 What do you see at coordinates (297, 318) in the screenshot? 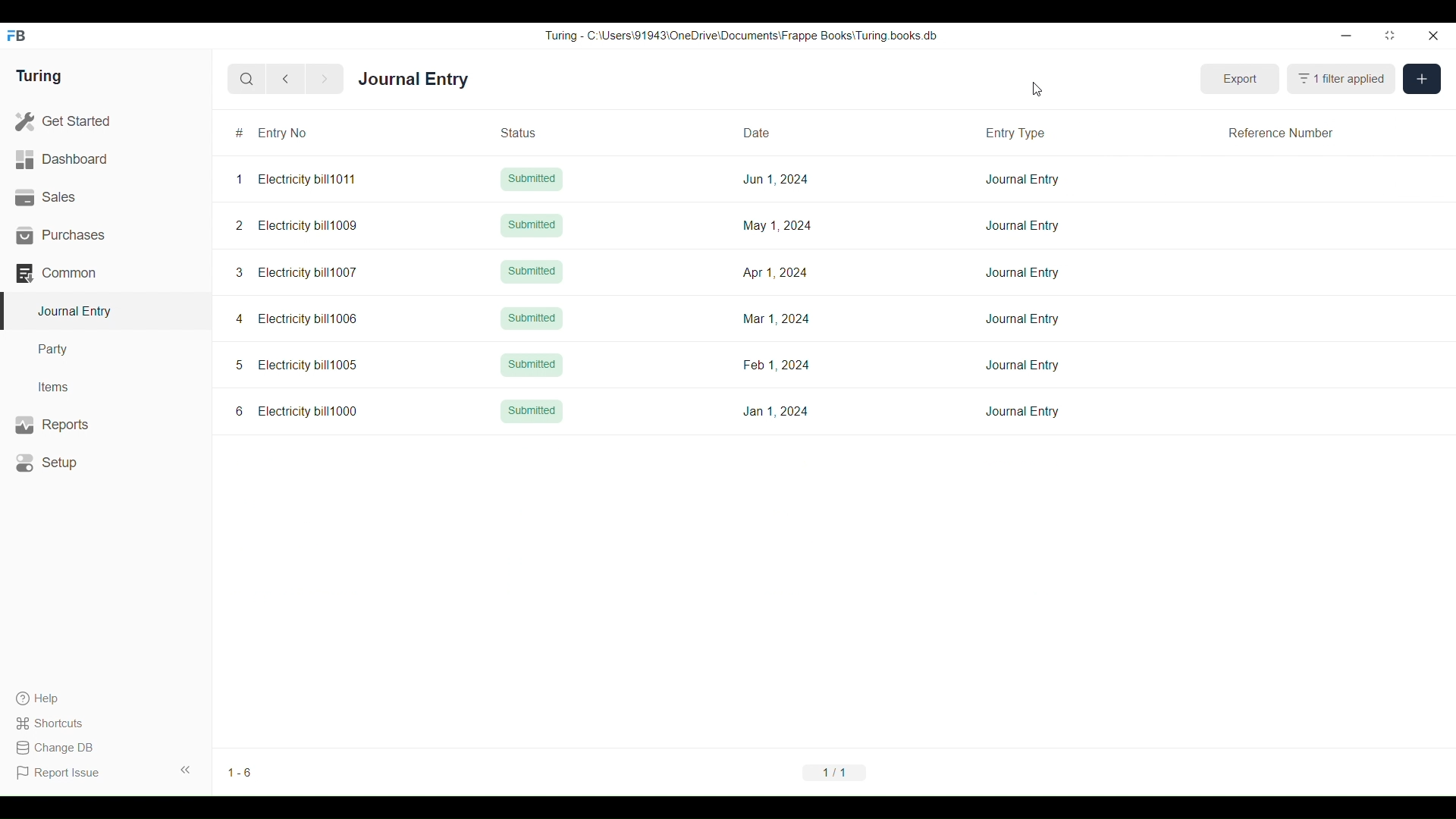
I see `4 Electricity bill1006` at bounding box center [297, 318].